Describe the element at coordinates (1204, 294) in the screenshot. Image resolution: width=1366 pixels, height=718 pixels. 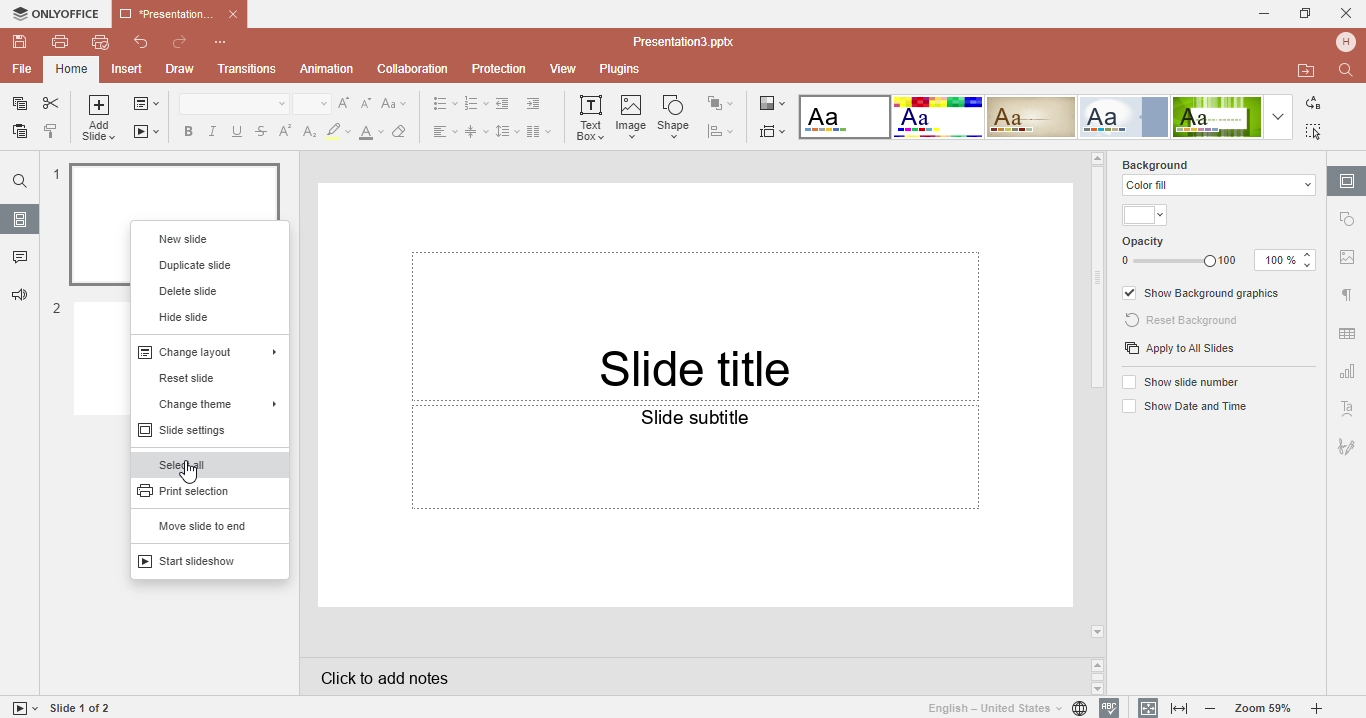
I see `Show background graphics` at that location.